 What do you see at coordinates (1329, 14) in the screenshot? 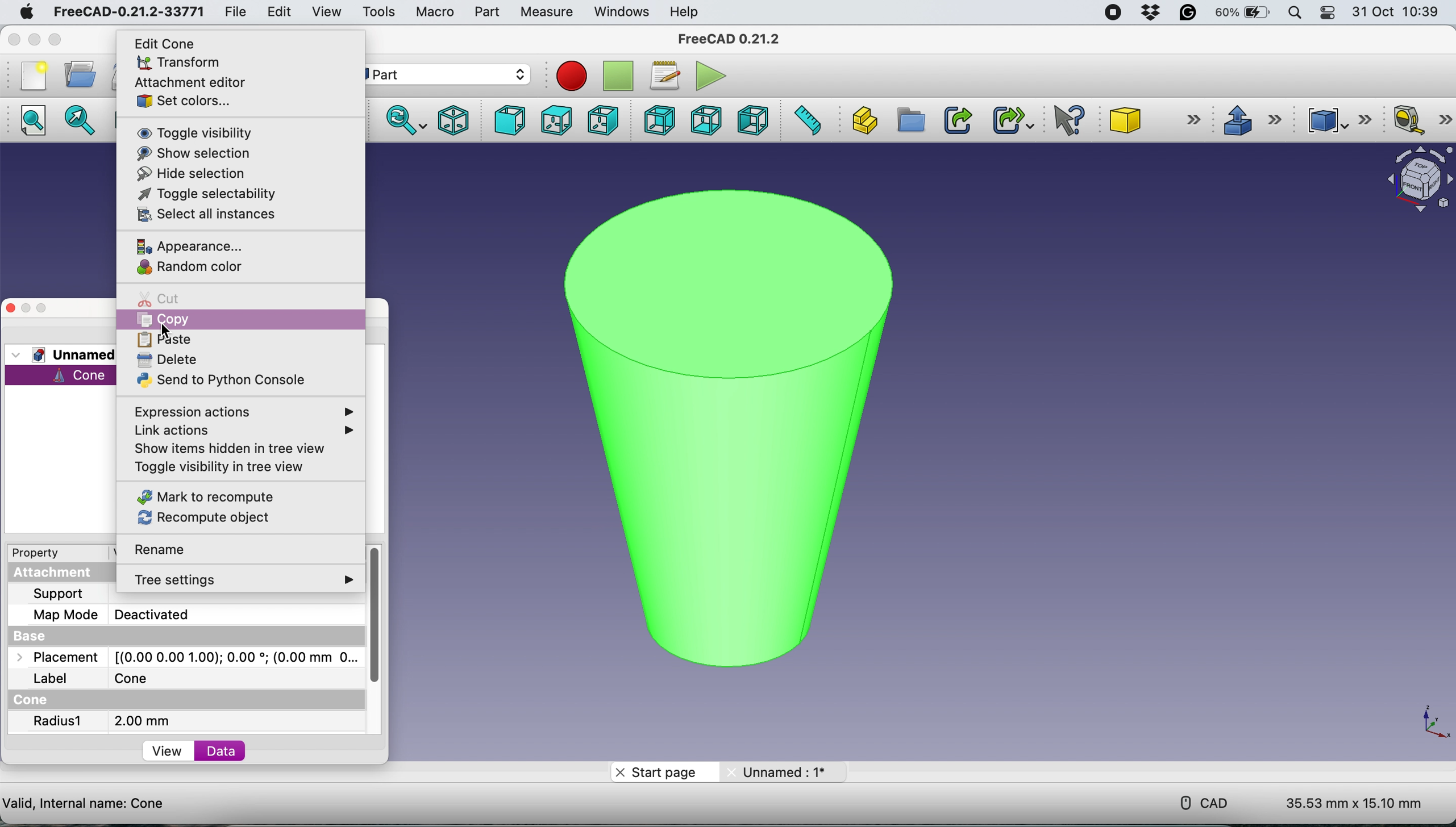
I see `control center` at bounding box center [1329, 14].